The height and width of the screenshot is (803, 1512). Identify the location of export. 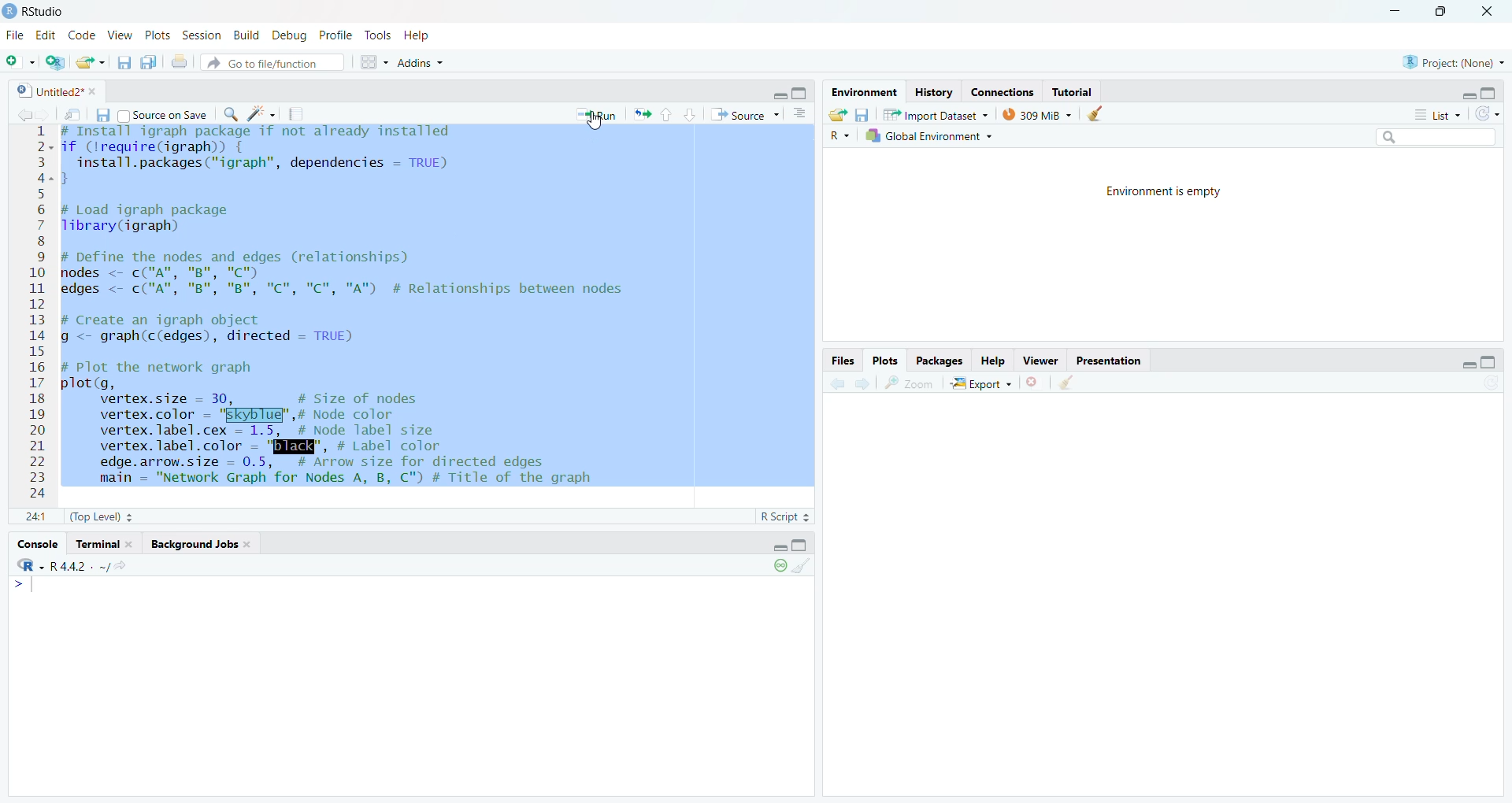
(836, 115).